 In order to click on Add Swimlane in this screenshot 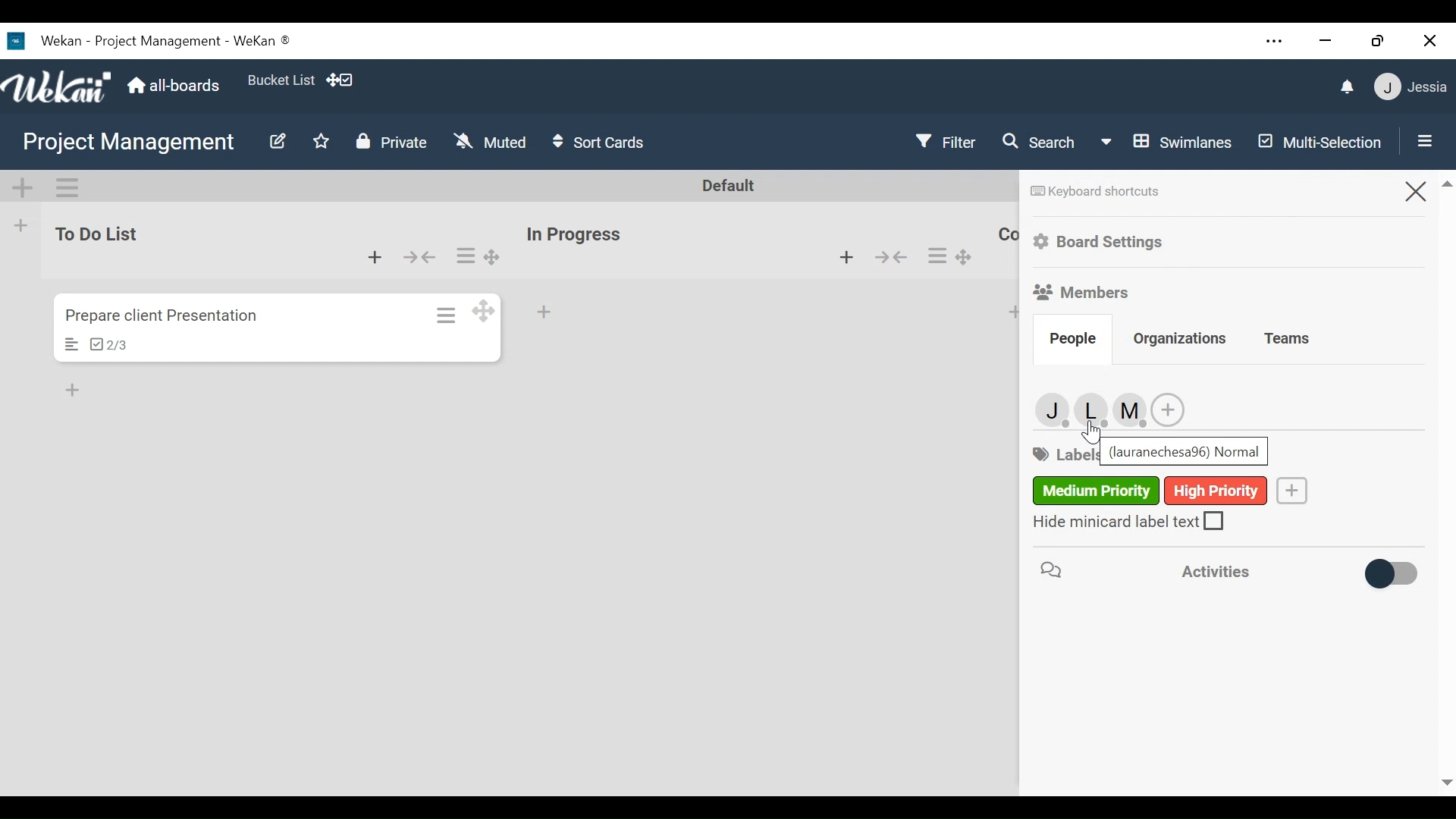, I will do `click(24, 188)`.